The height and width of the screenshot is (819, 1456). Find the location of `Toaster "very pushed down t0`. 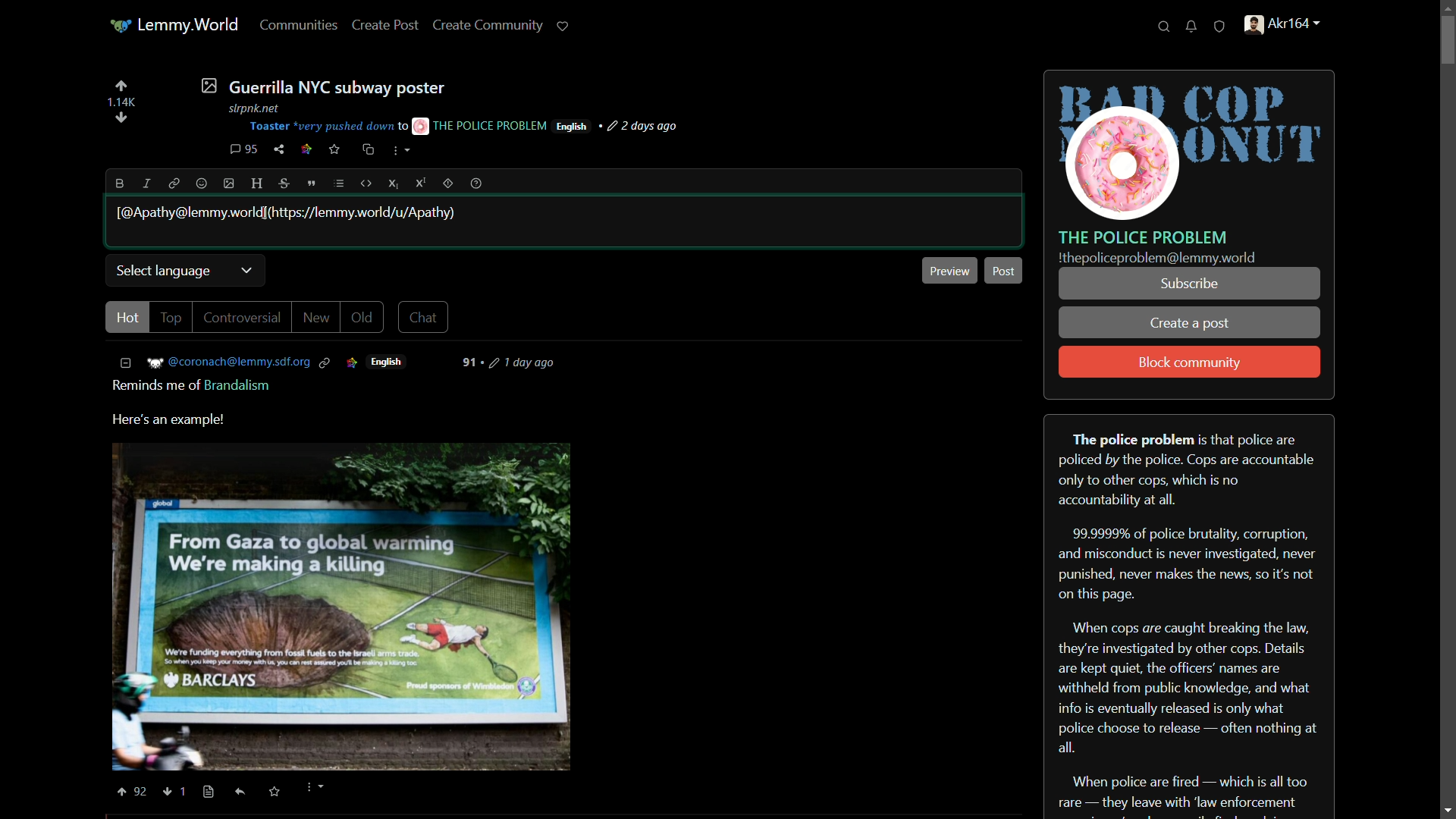

Toaster "very pushed down t0 is located at coordinates (328, 127).